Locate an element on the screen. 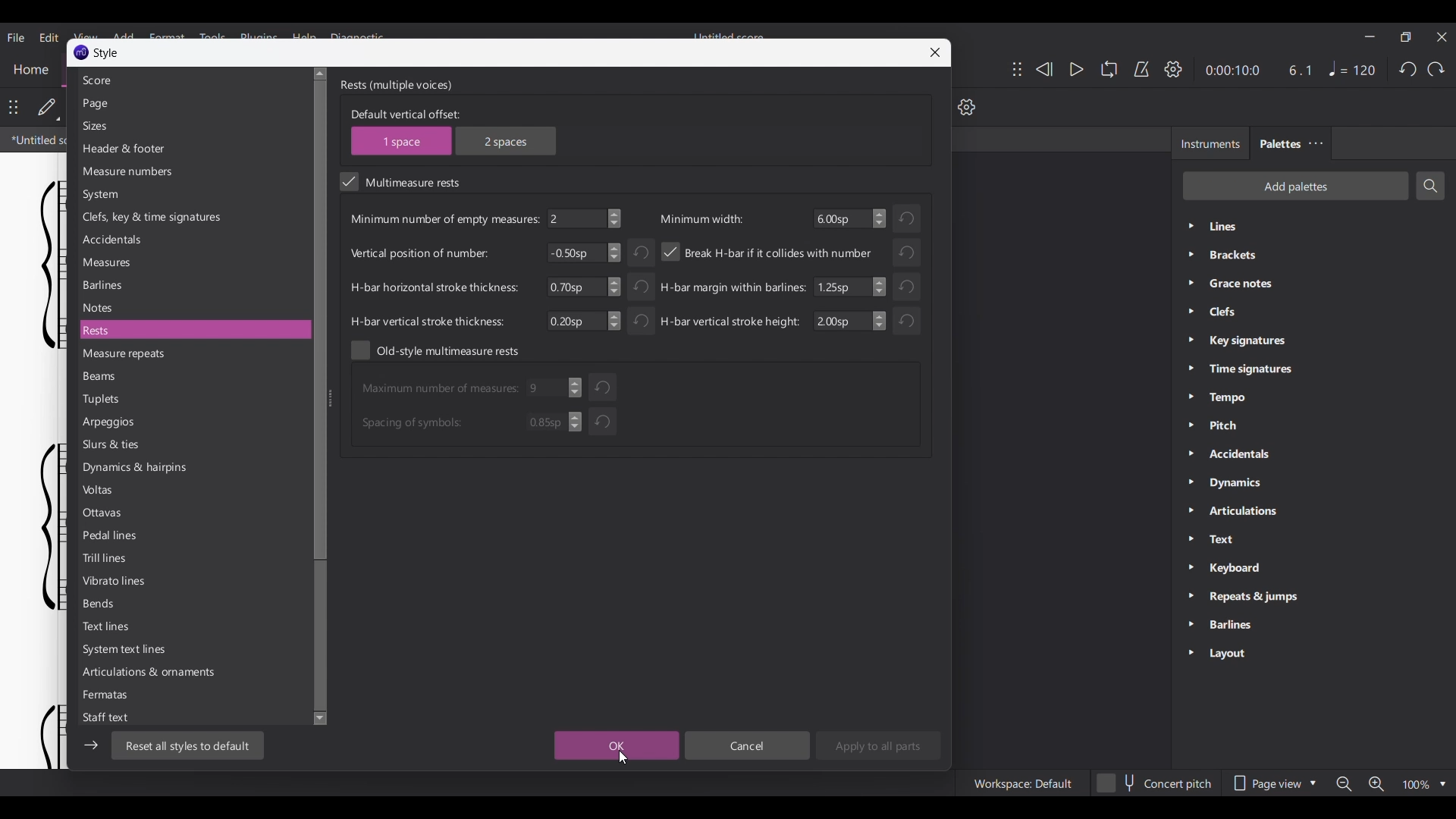  Instruments tab is located at coordinates (1210, 143).